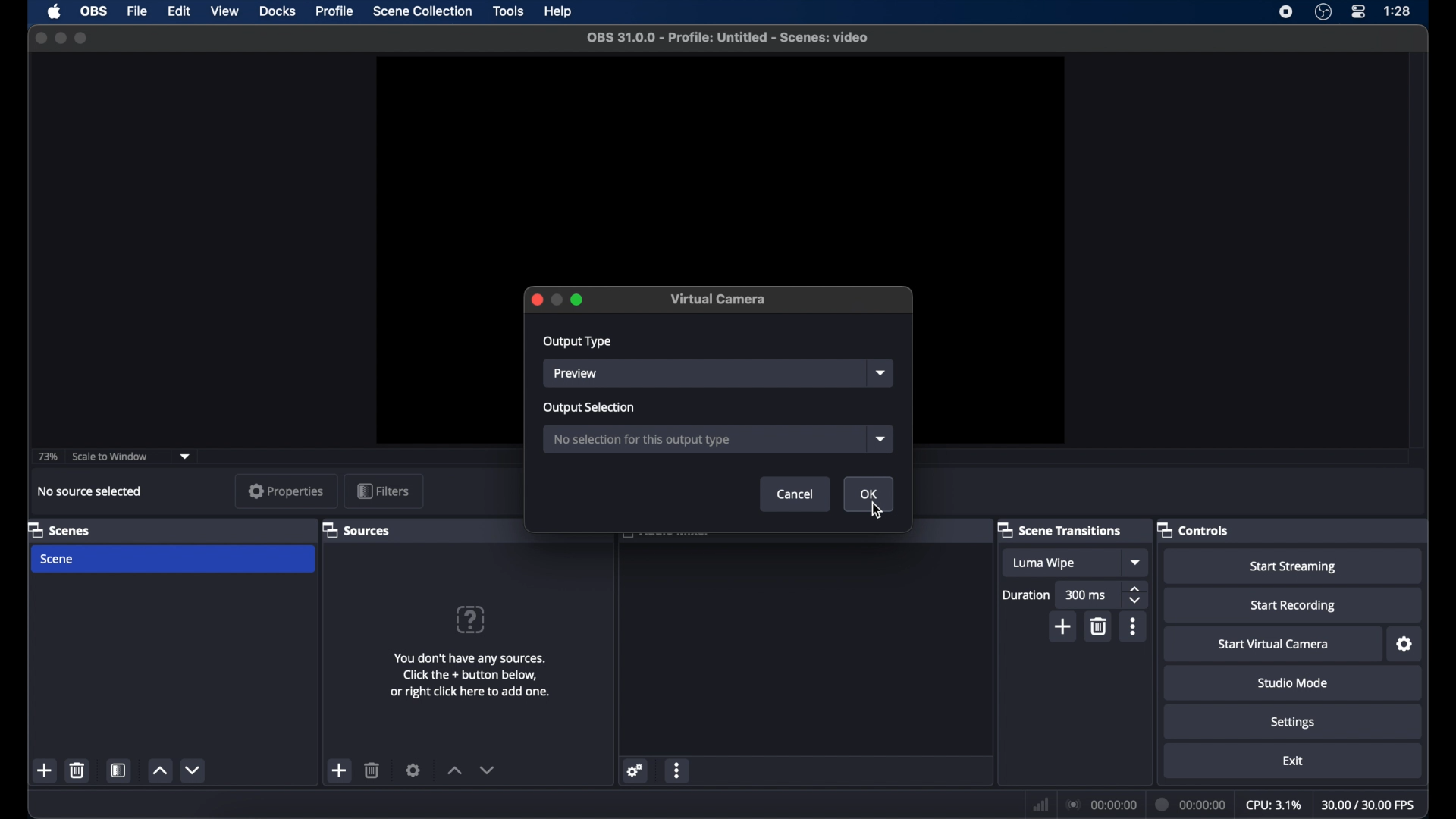 The width and height of the screenshot is (1456, 819). Describe the element at coordinates (720, 168) in the screenshot. I see `preview` at that location.